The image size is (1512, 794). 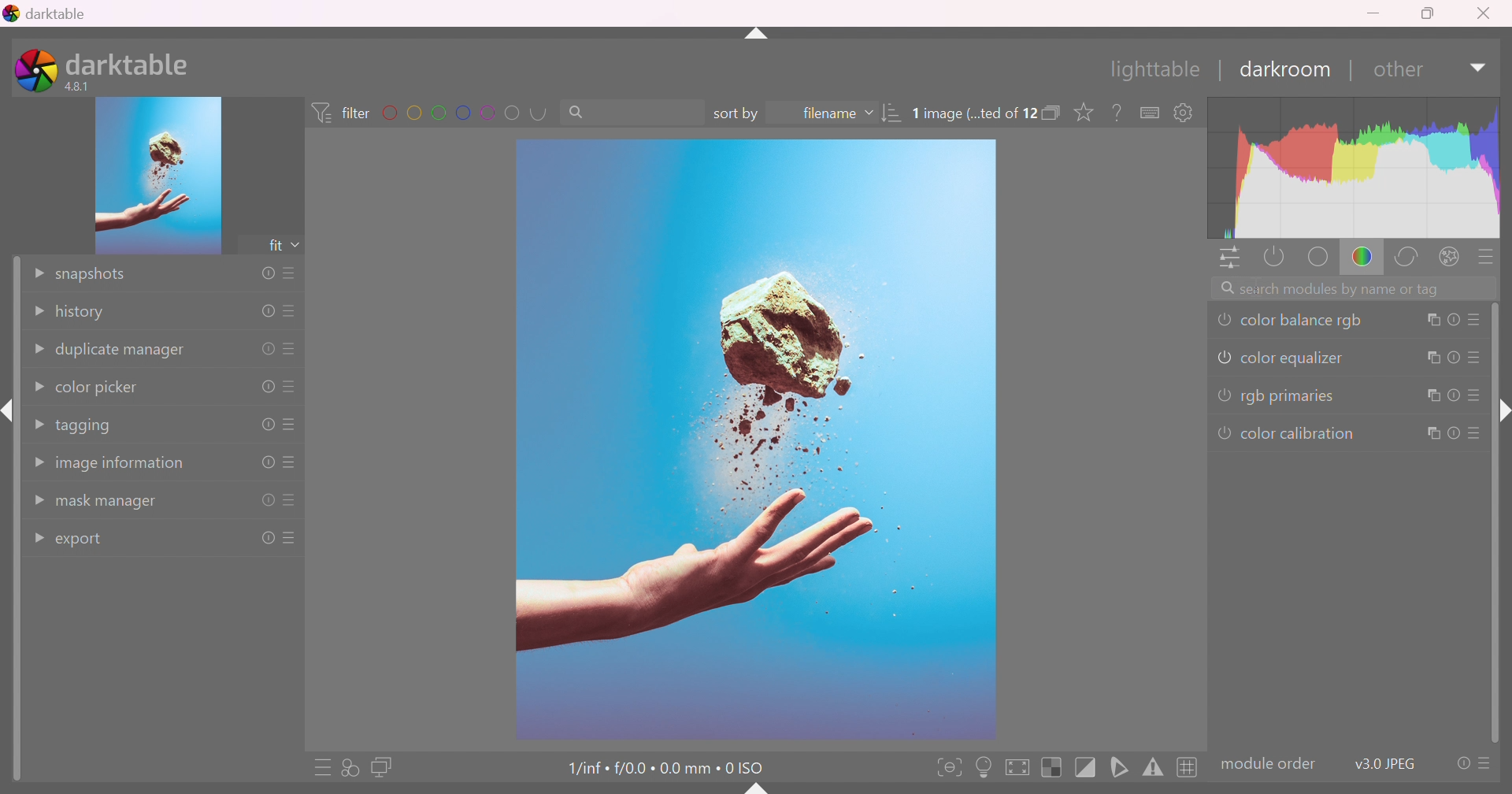 I want to click on fit, so click(x=272, y=246).